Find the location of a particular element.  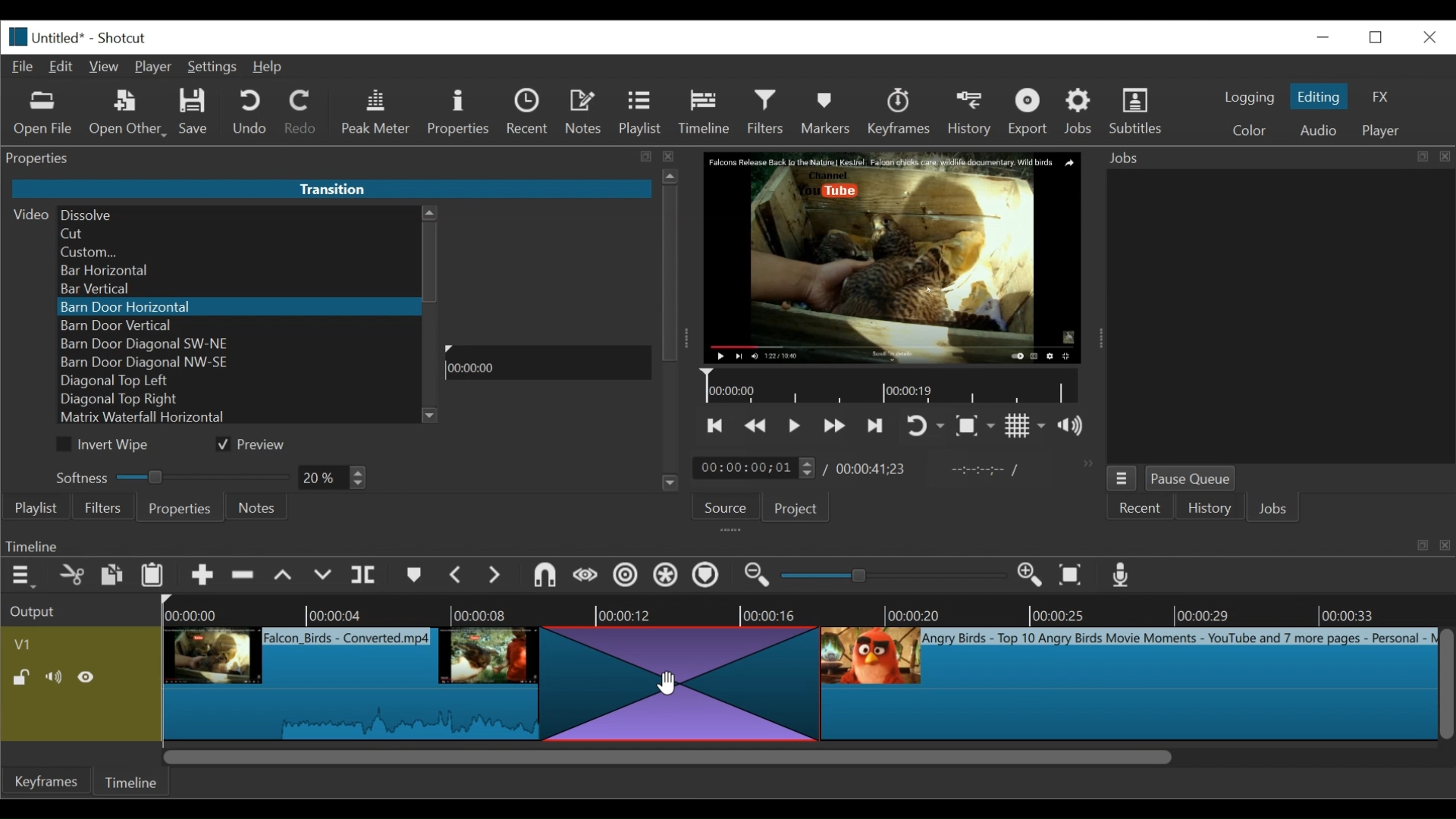

Diagonal Top Right is located at coordinates (240, 400).